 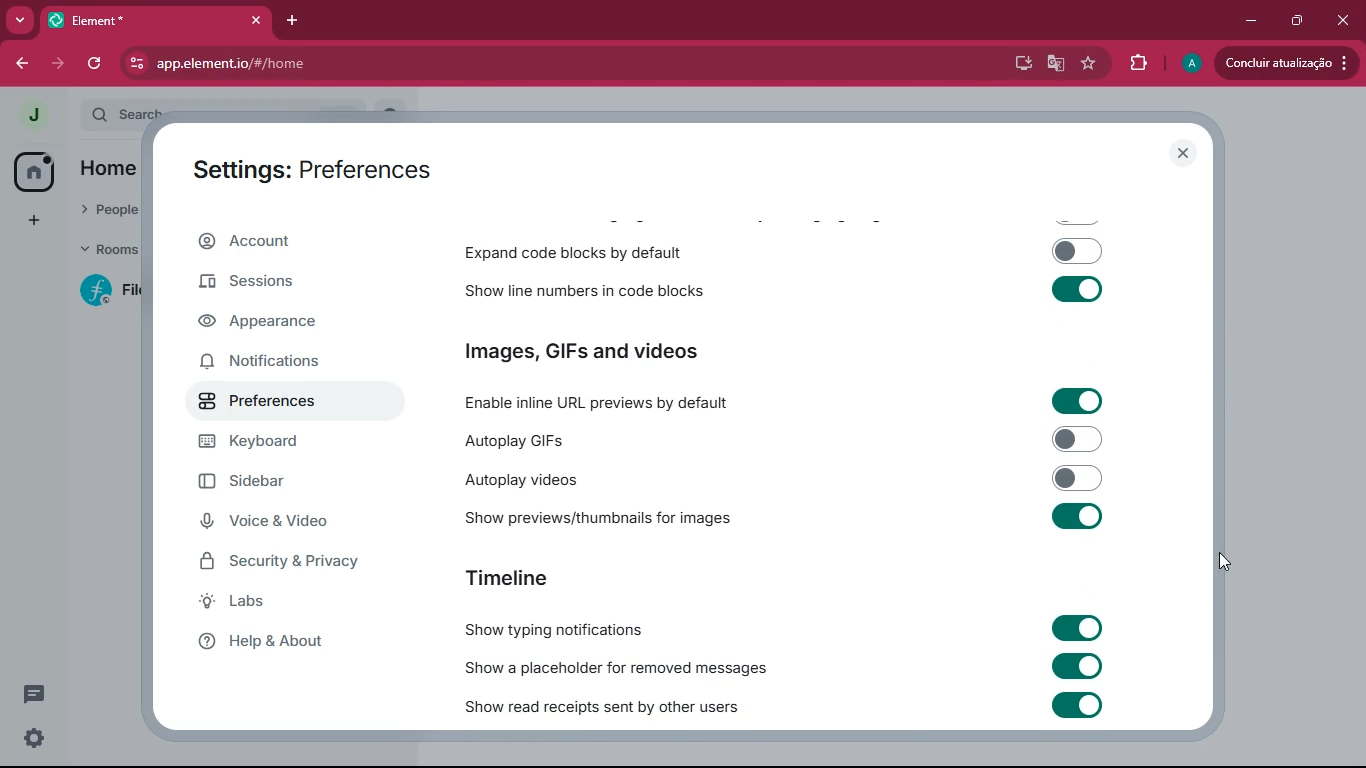 What do you see at coordinates (1077, 251) in the screenshot?
I see `toggle on/off` at bounding box center [1077, 251].